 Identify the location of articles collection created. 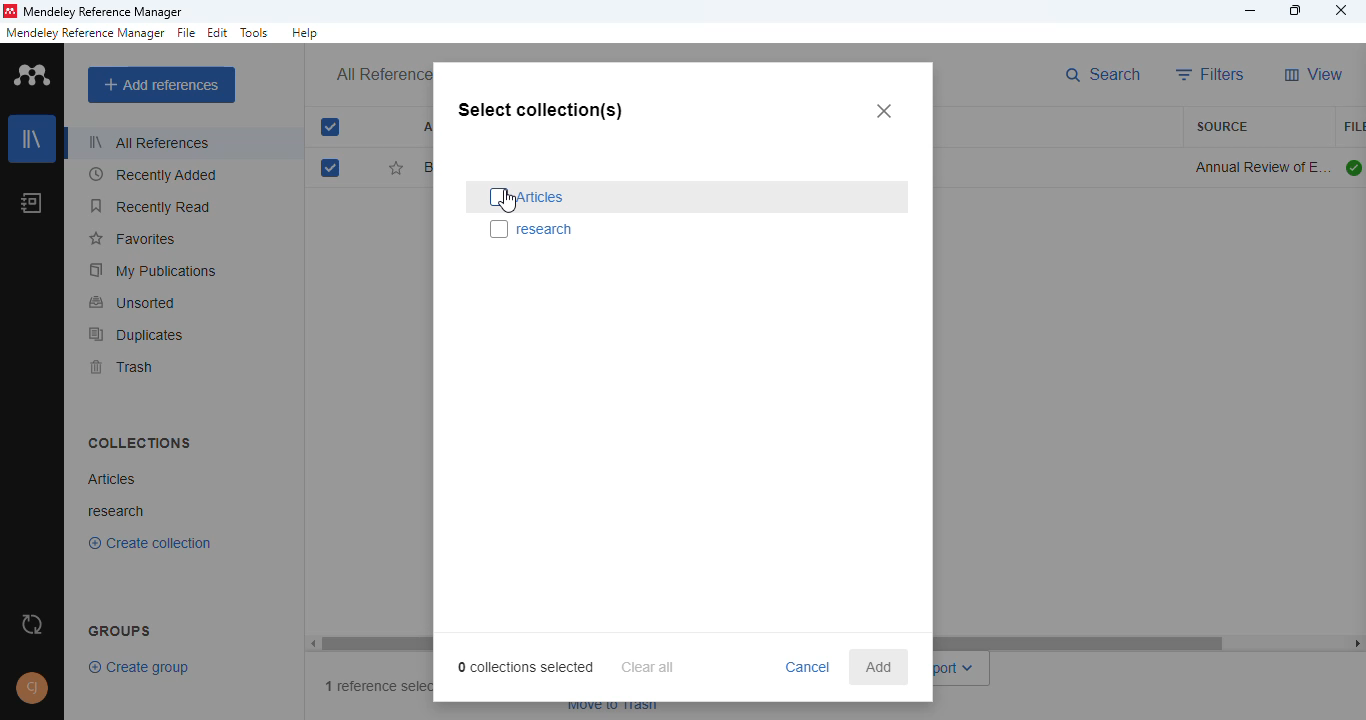
(111, 479).